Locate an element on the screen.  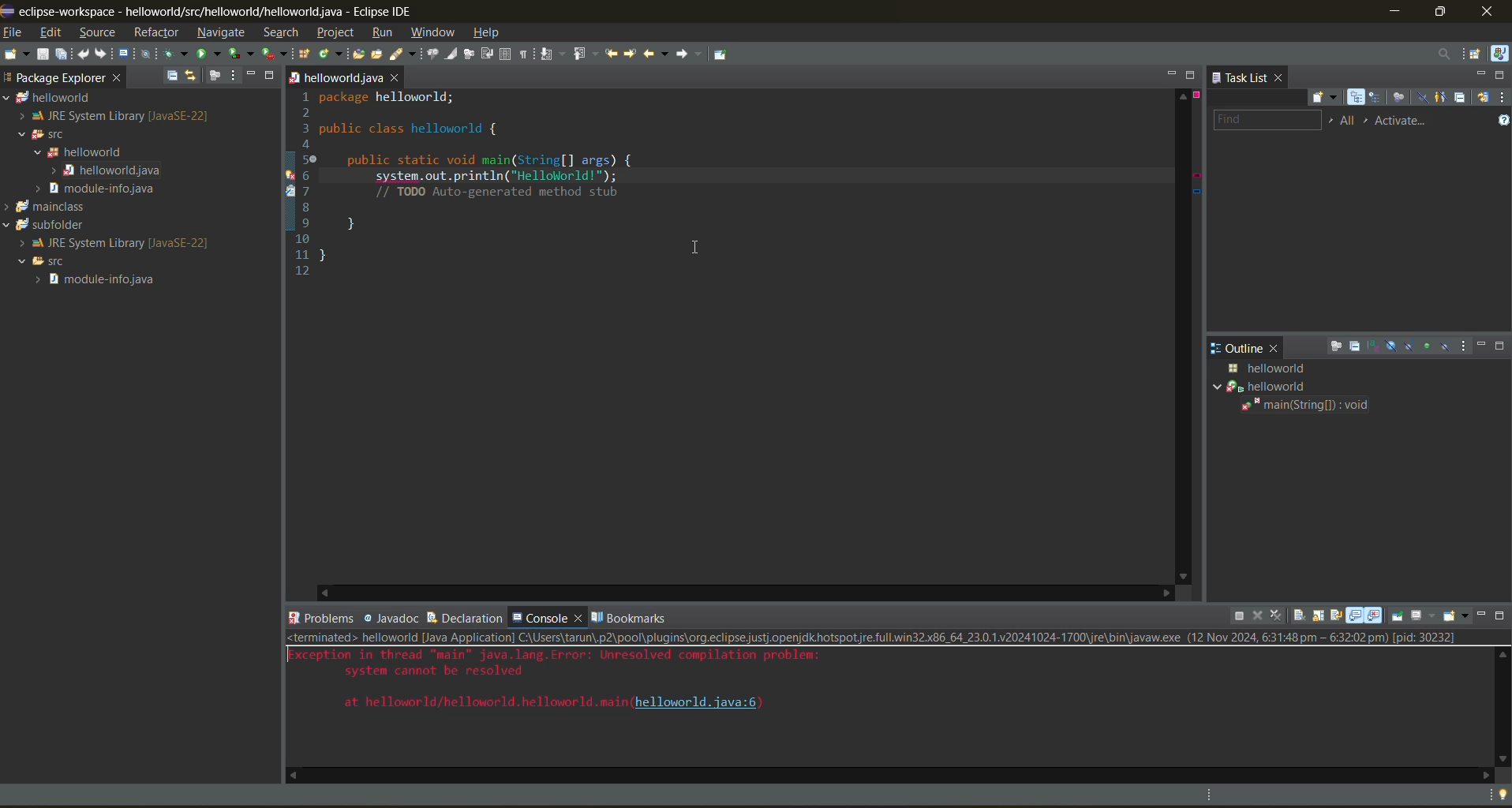
java is located at coordinates (1499, 55).